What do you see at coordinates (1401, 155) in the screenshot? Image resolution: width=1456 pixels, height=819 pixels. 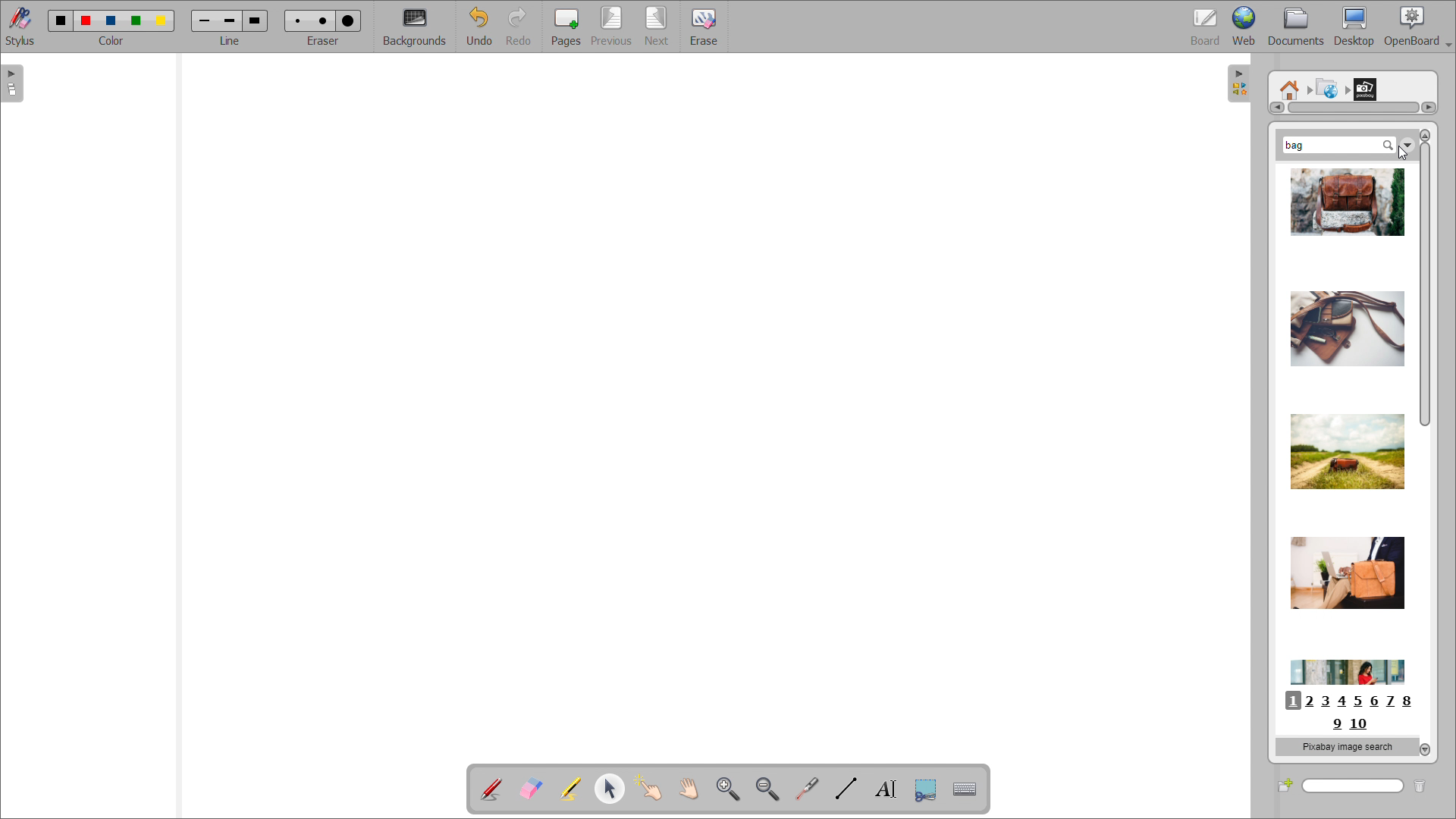 I see `cursor` at bounding box center [1401, 155].